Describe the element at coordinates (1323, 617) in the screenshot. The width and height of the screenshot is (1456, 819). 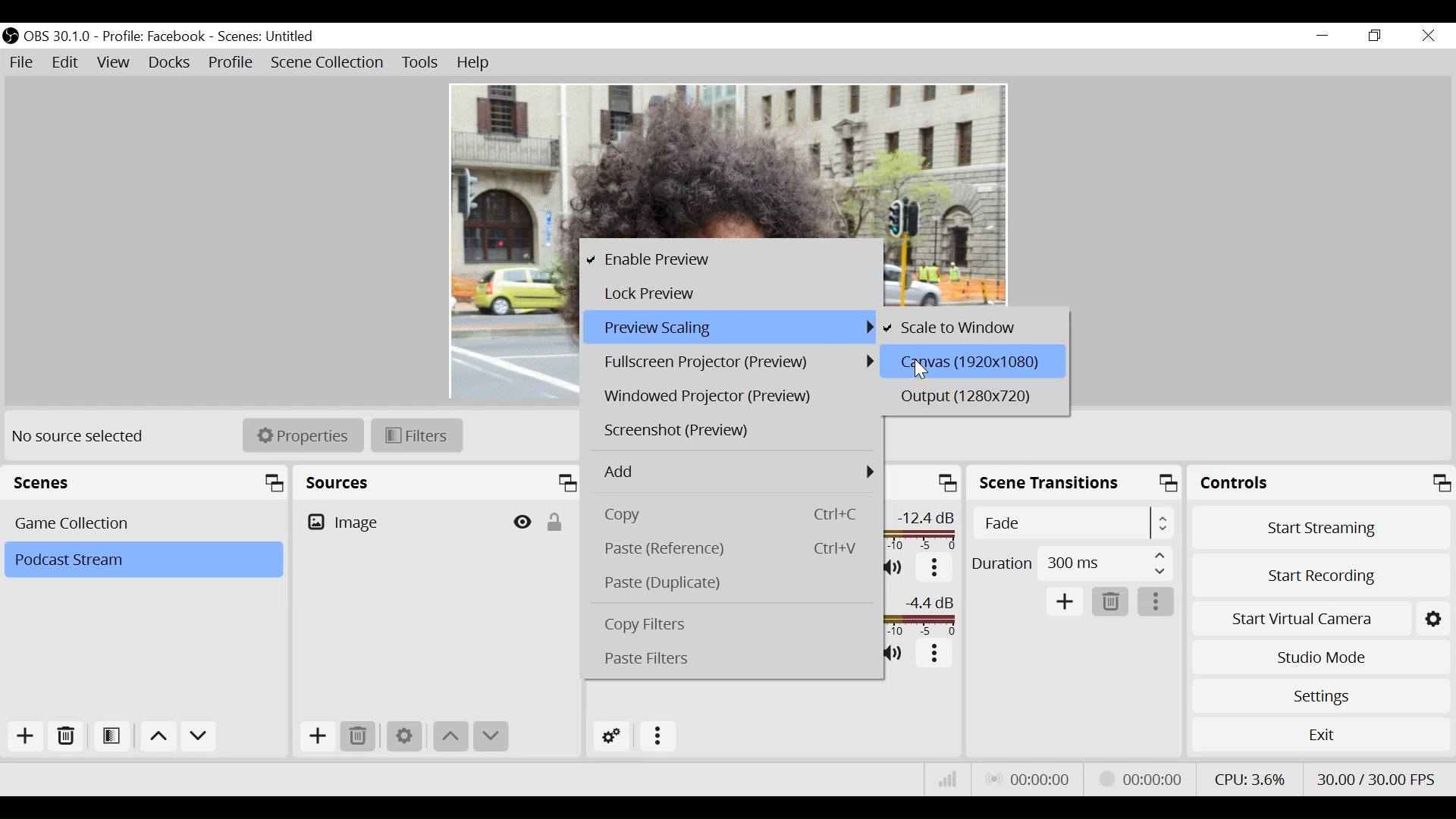
I see `Start Virtual Camera` at that location.